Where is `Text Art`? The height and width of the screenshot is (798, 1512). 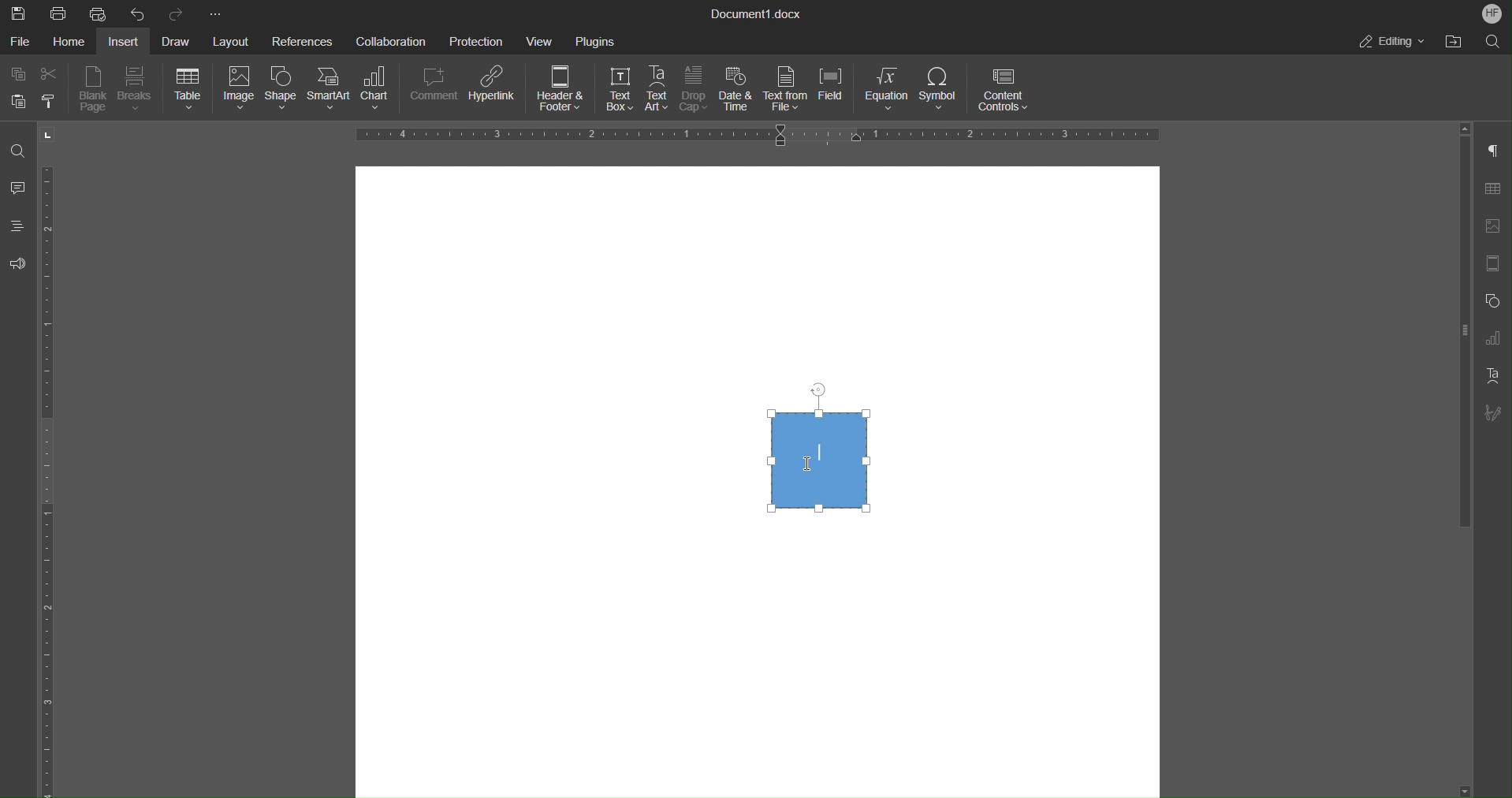
Text Art is located at coordinates (1496, 376).